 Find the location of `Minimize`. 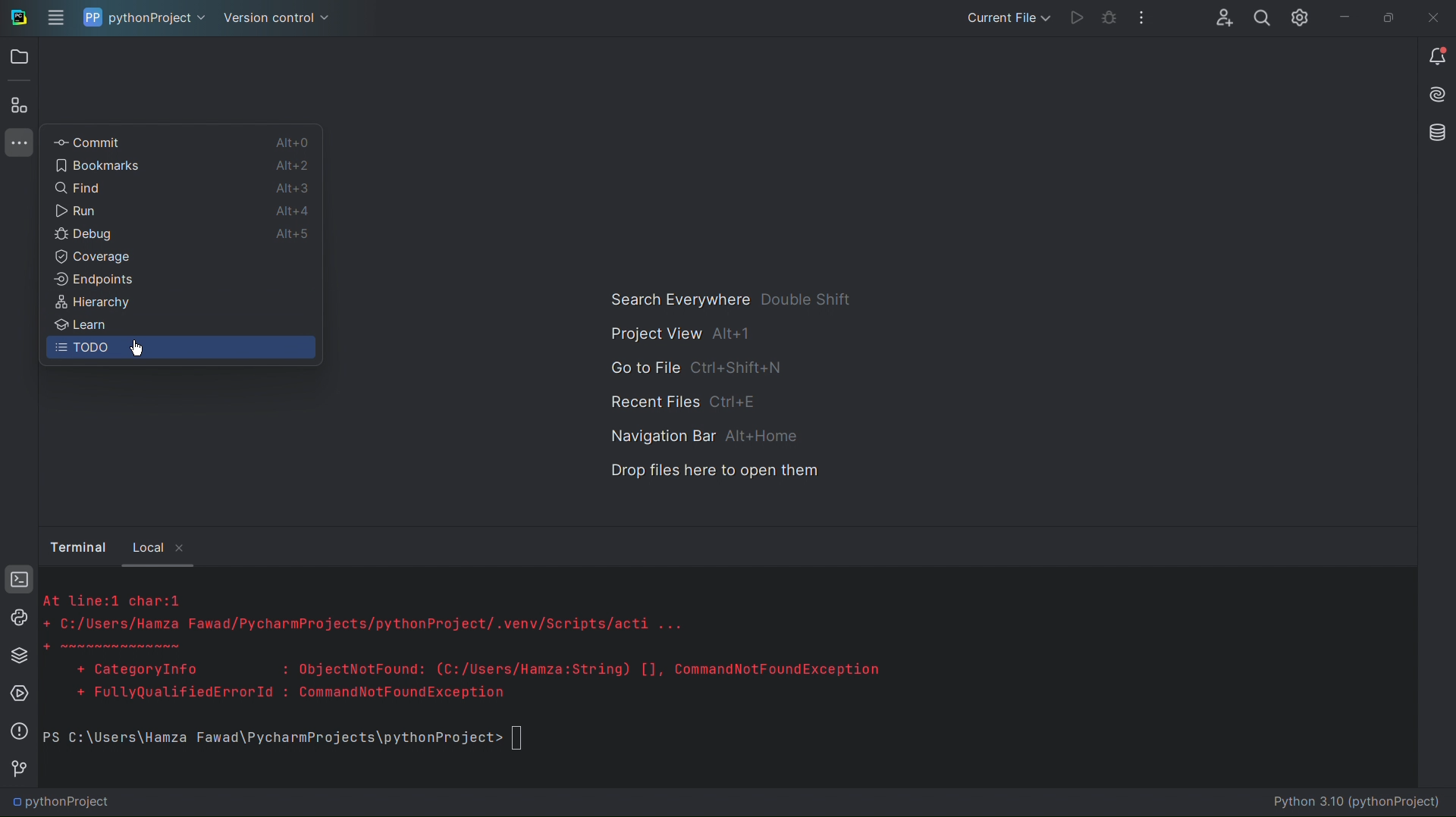

Minimize is located at coordinates (1346, 12).